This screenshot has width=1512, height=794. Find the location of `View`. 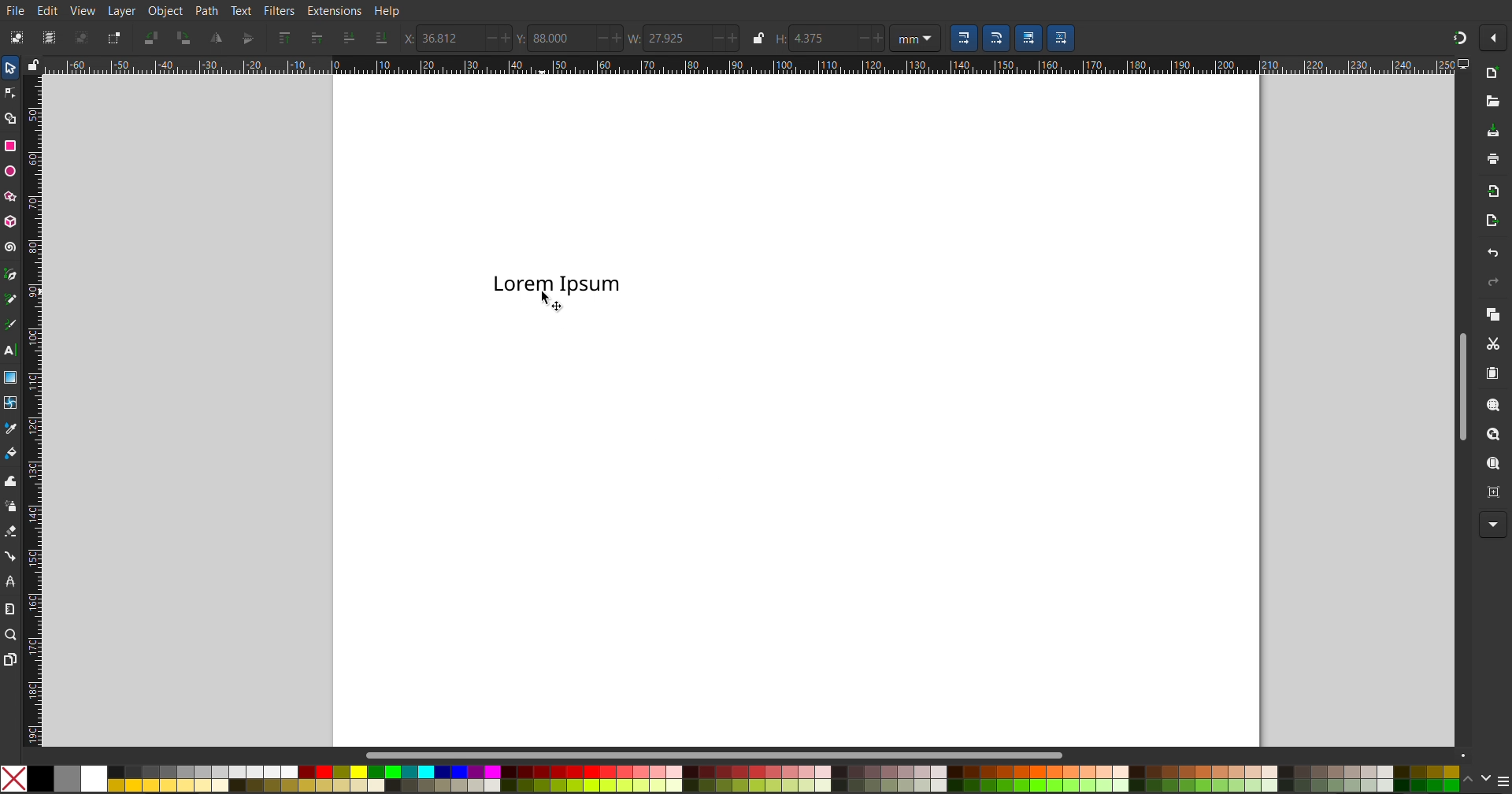

View is located at coordinates (83, 9).